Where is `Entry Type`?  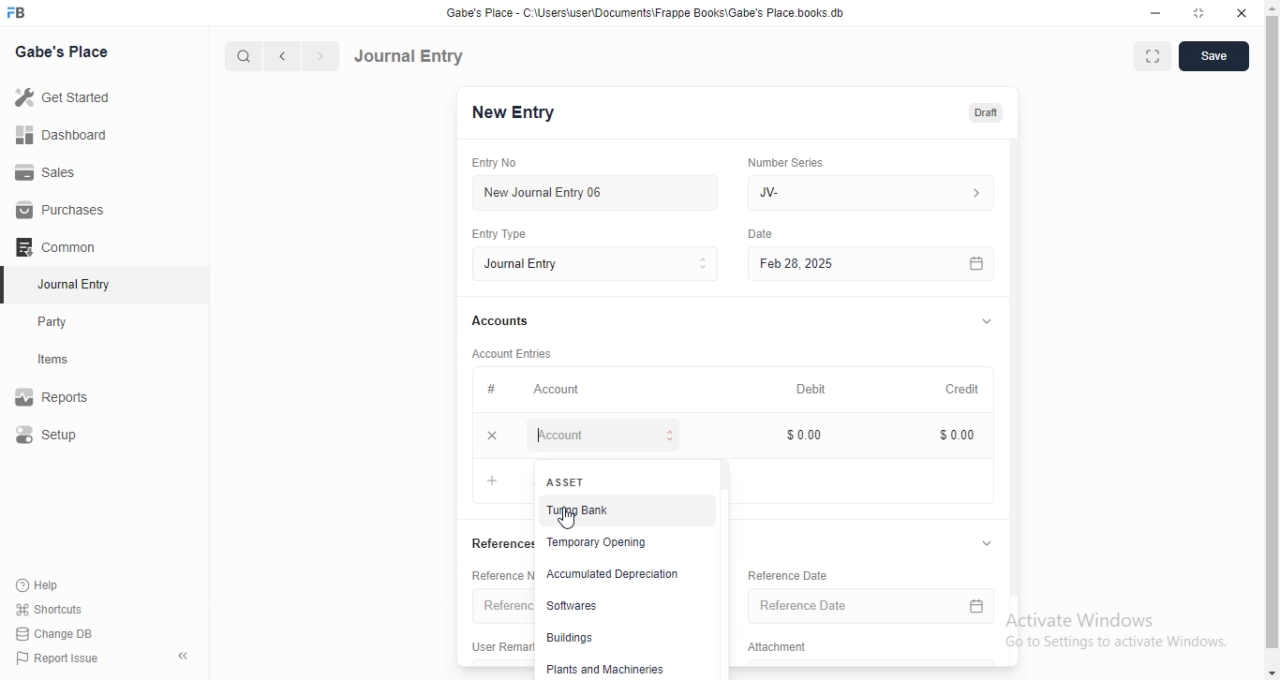 Entry Type is located at coordinates (602, 264).